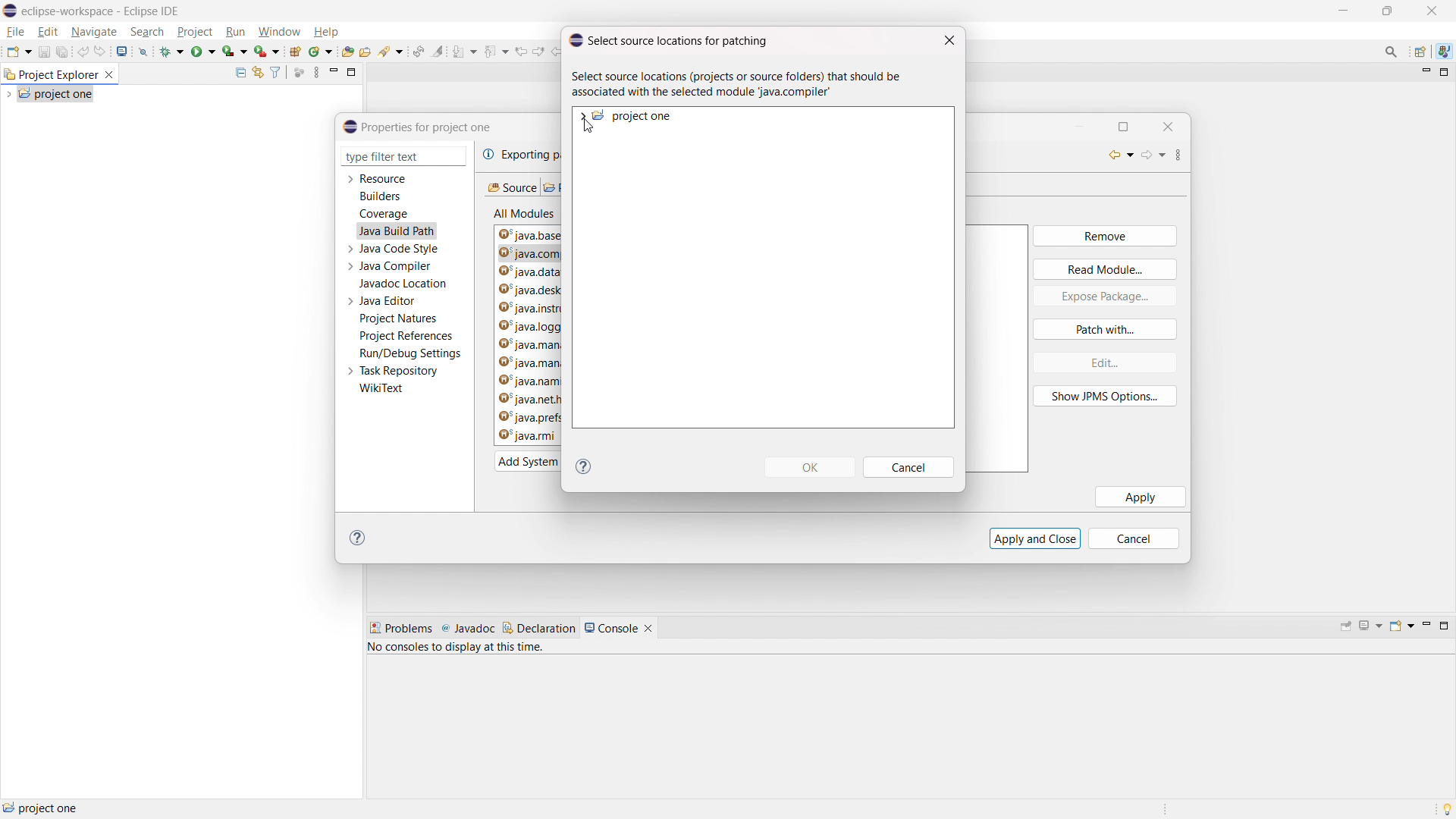  I want to click on maximize, so click(1342, 11).